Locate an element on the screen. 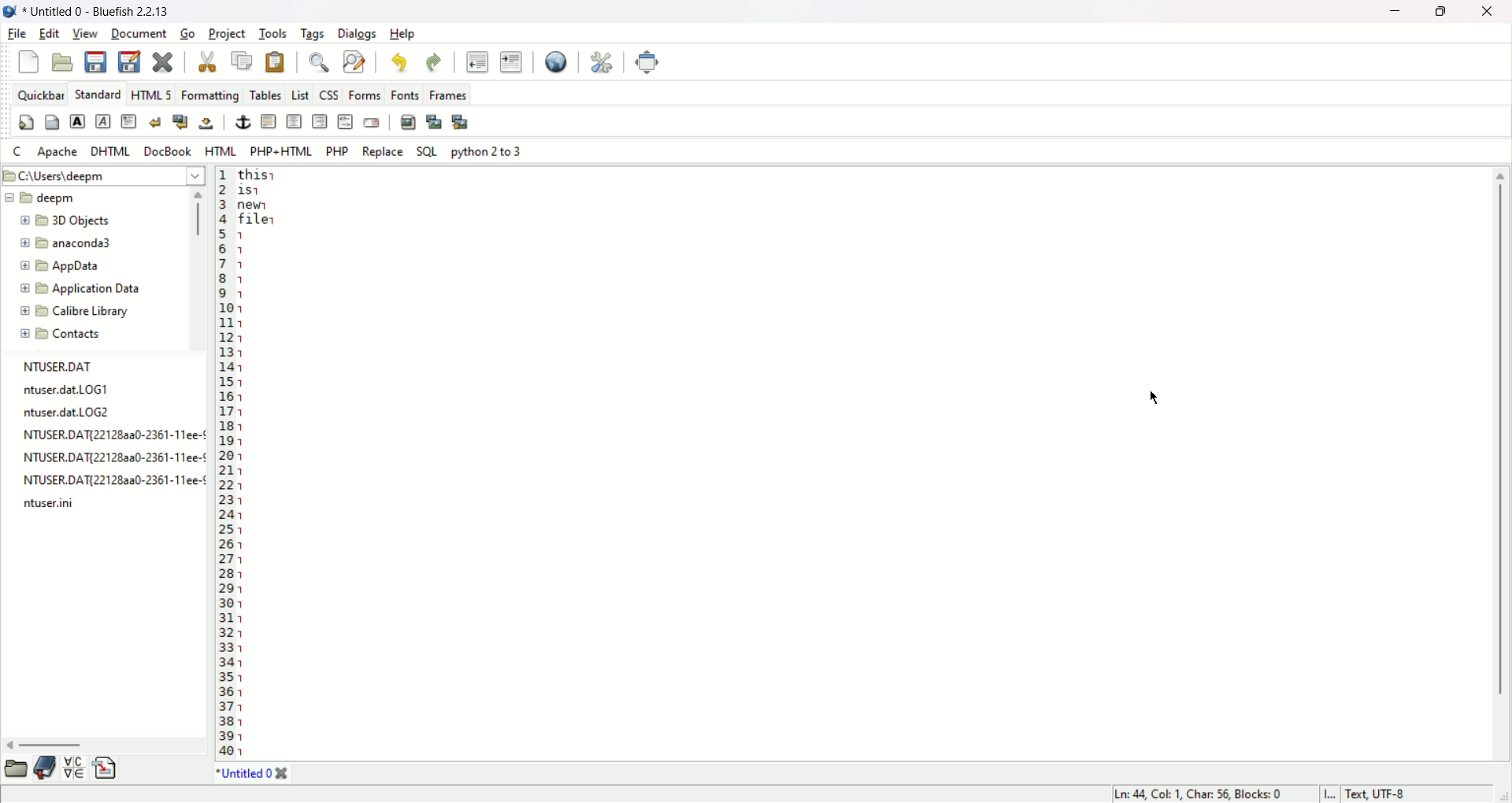 The height and width of the screenshot is (803, 1512). PHP+HTML is located at coordinates (280, 151).